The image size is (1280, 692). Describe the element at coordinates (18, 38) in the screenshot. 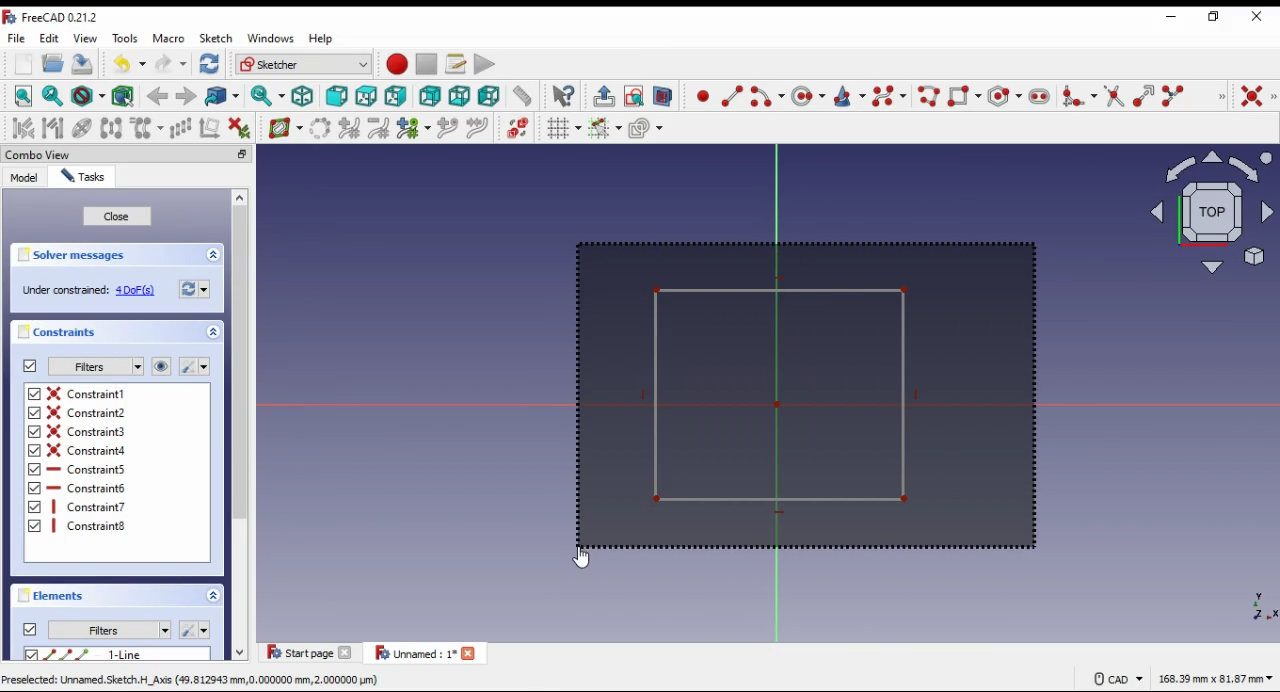

I see `file` at that location.